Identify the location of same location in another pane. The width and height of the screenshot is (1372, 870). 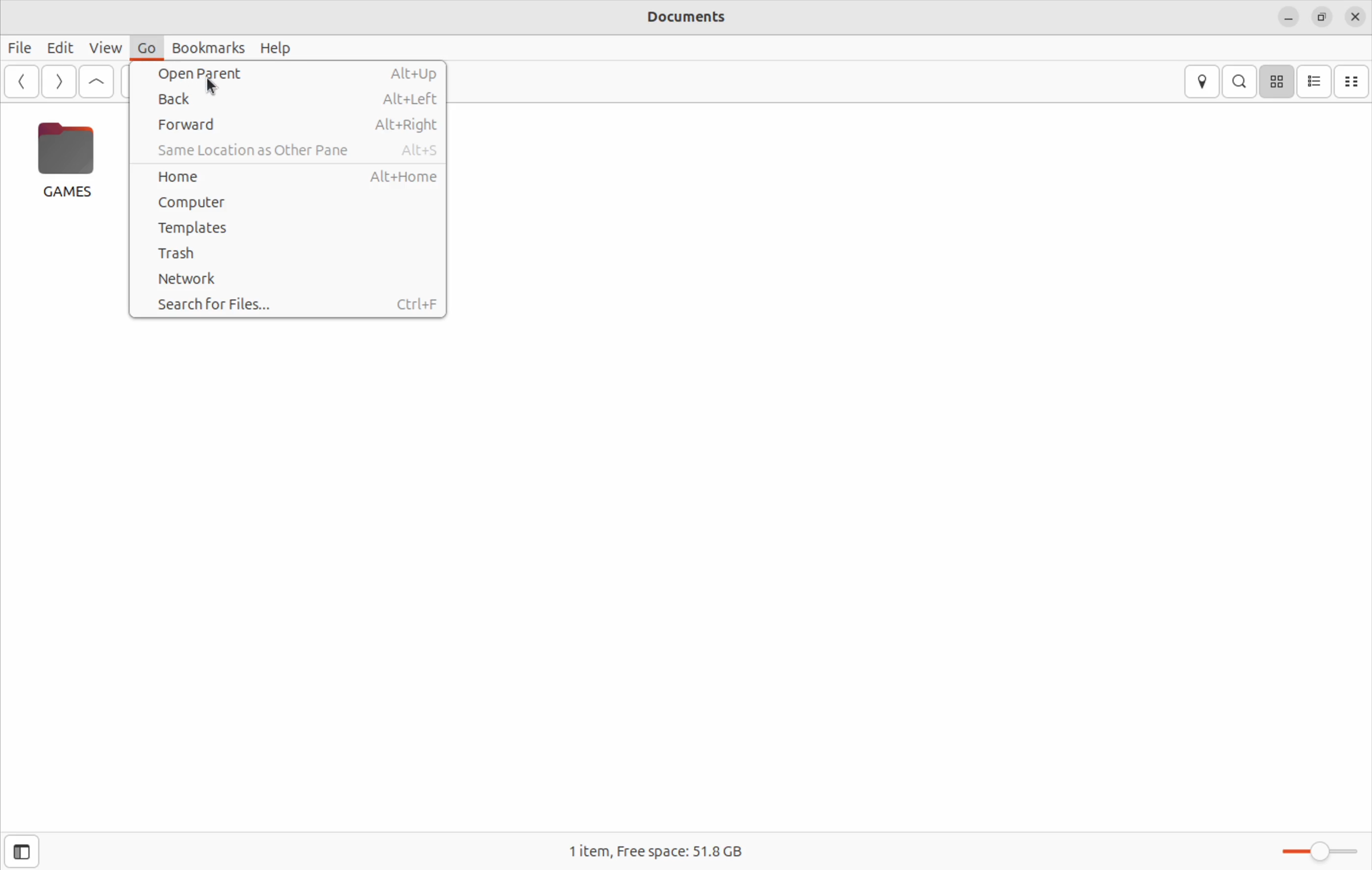
(300, 150).